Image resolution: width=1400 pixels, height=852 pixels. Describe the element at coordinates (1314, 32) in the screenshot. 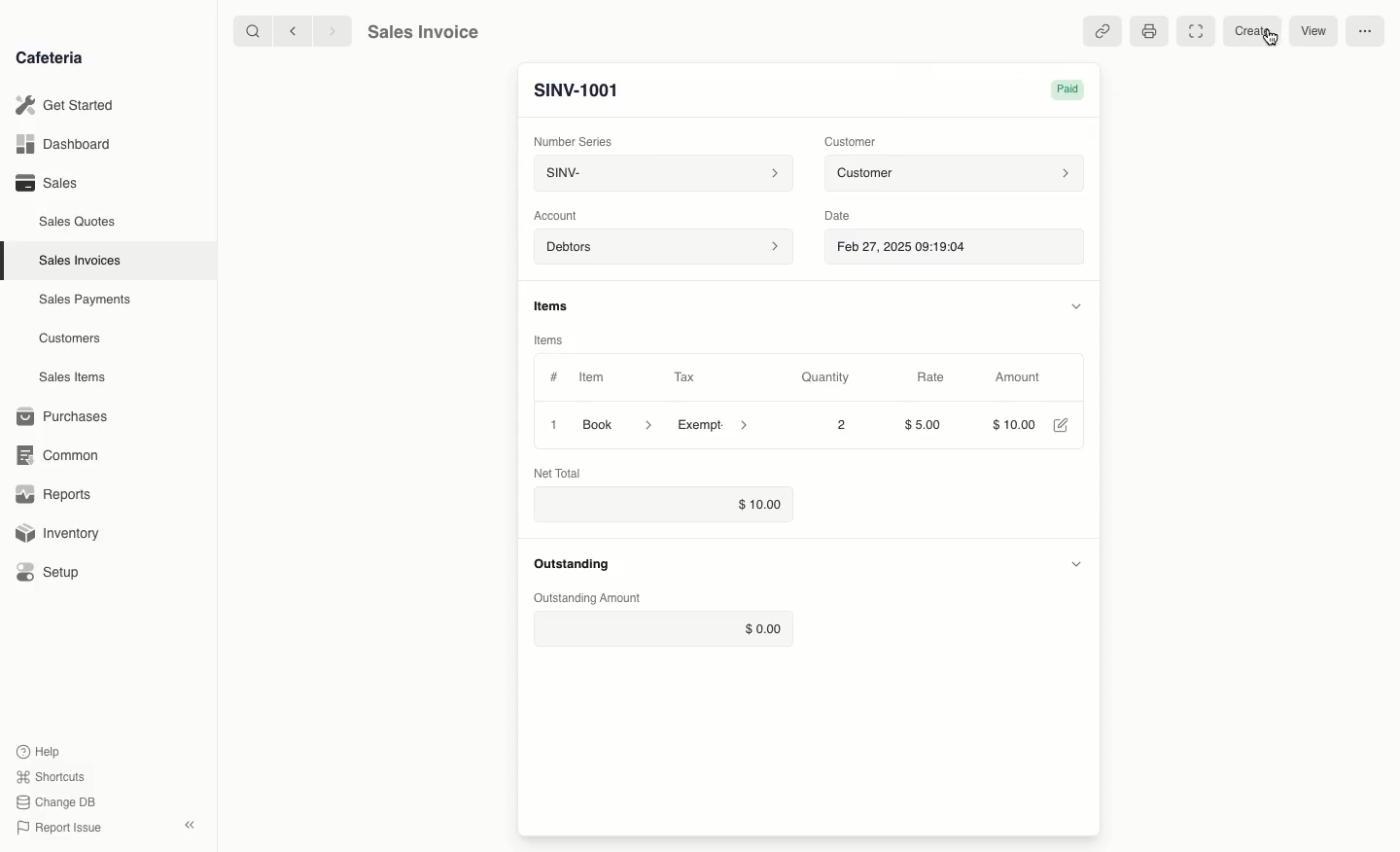

I see `view` at that location.